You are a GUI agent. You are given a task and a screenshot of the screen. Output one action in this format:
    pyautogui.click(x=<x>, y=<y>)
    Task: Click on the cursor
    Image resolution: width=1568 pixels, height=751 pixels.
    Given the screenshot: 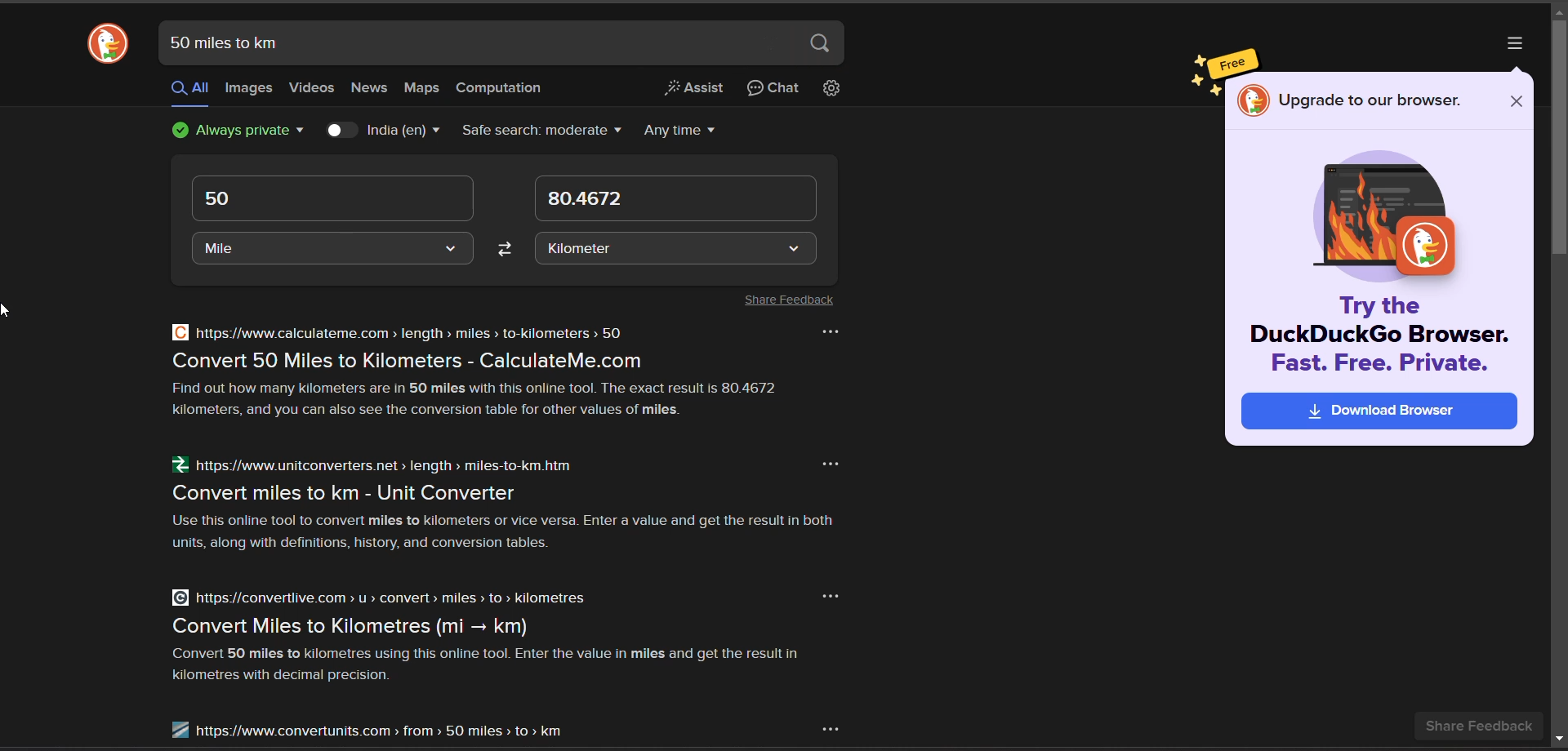 What is the action you would take?
    pyautogui.click(x=7, y=310)
    